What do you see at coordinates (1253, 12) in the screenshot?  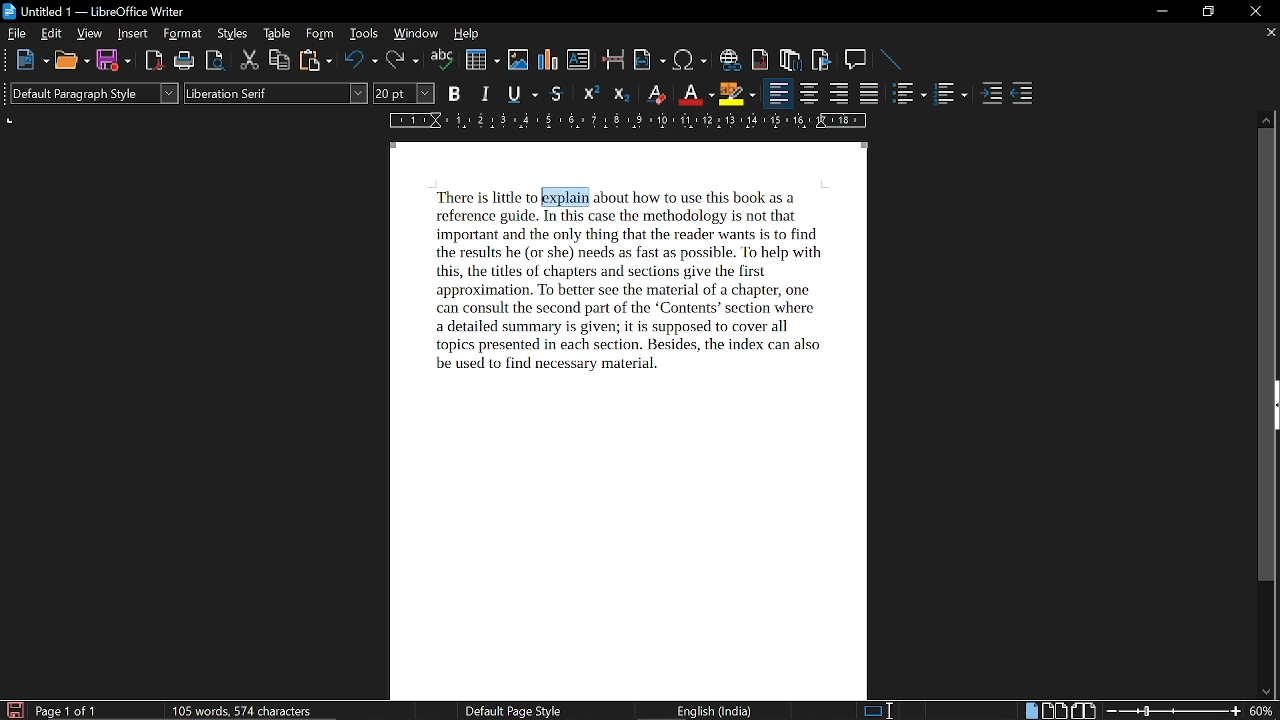 I see `close` at bounding box center [1253, 12].